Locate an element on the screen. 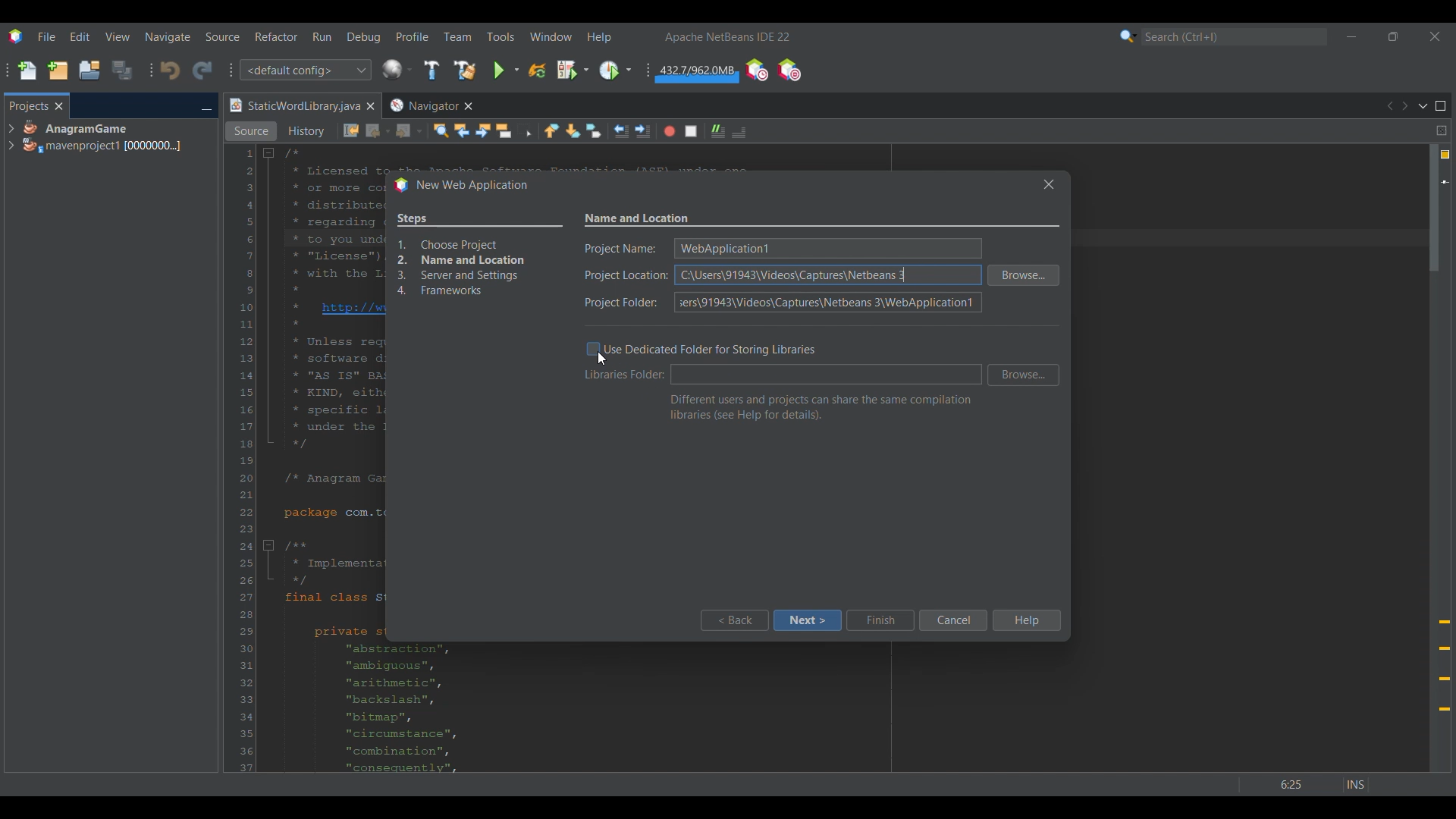 The height and width of the screenshot is (819, 1456). Section description is located at coordinates (821, 407).